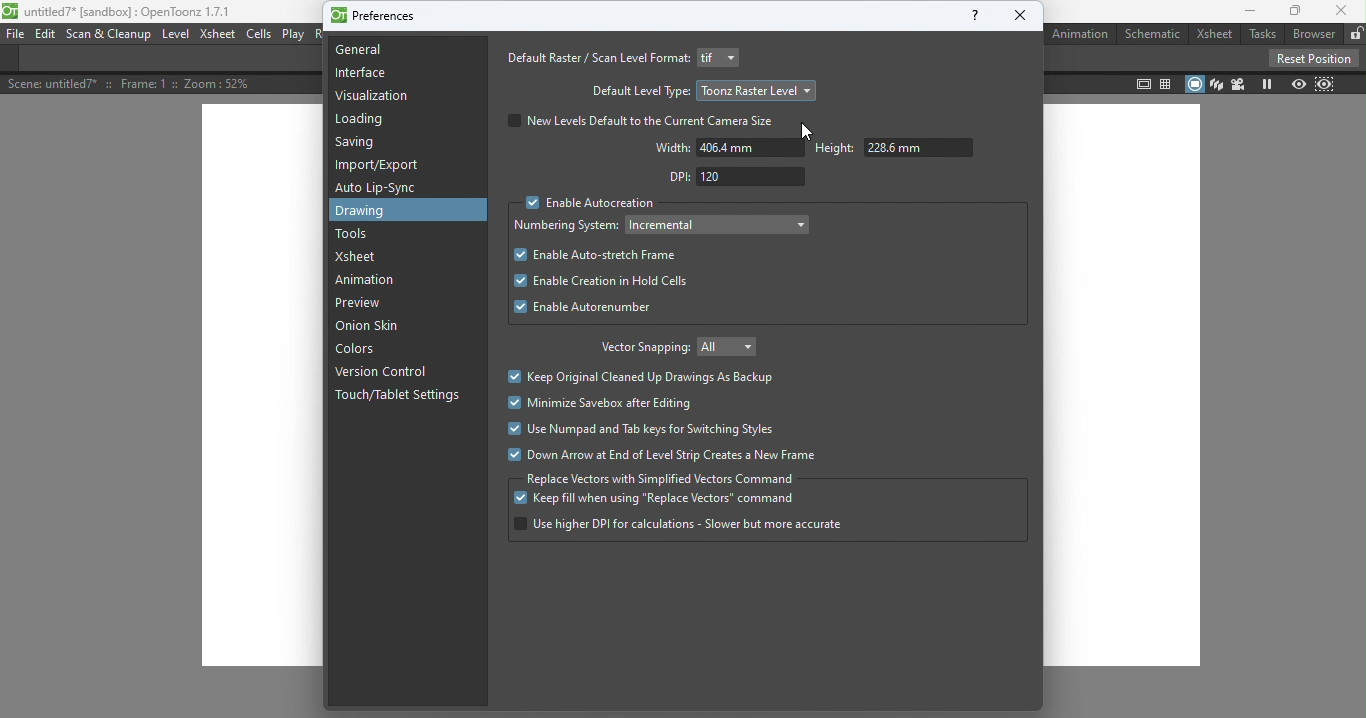  I want to click on Interface, so click(360, 75).